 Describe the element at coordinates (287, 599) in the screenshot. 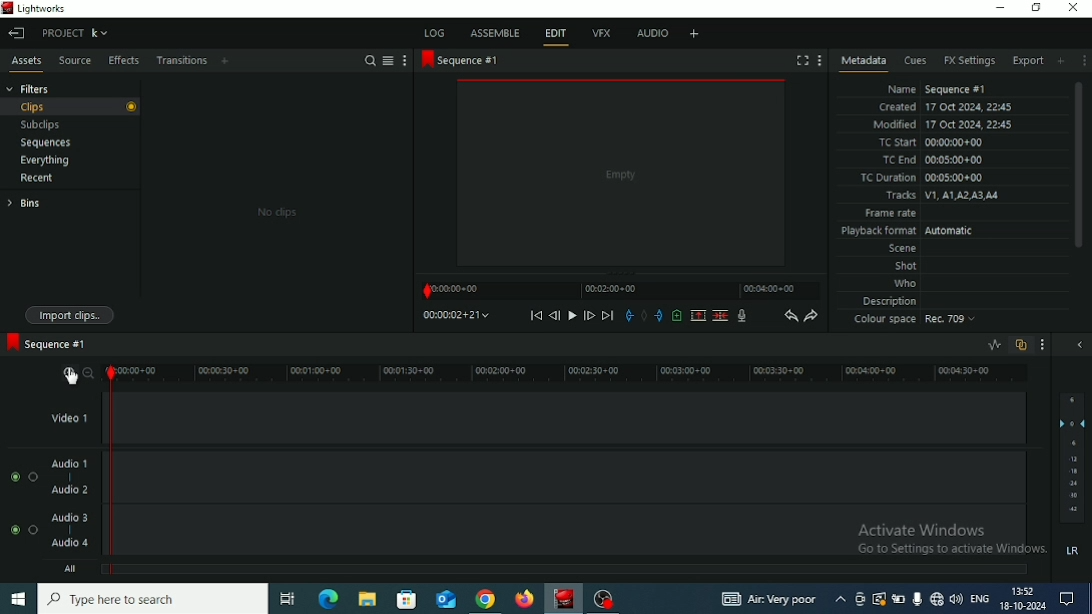

I see `Task View` at that location.